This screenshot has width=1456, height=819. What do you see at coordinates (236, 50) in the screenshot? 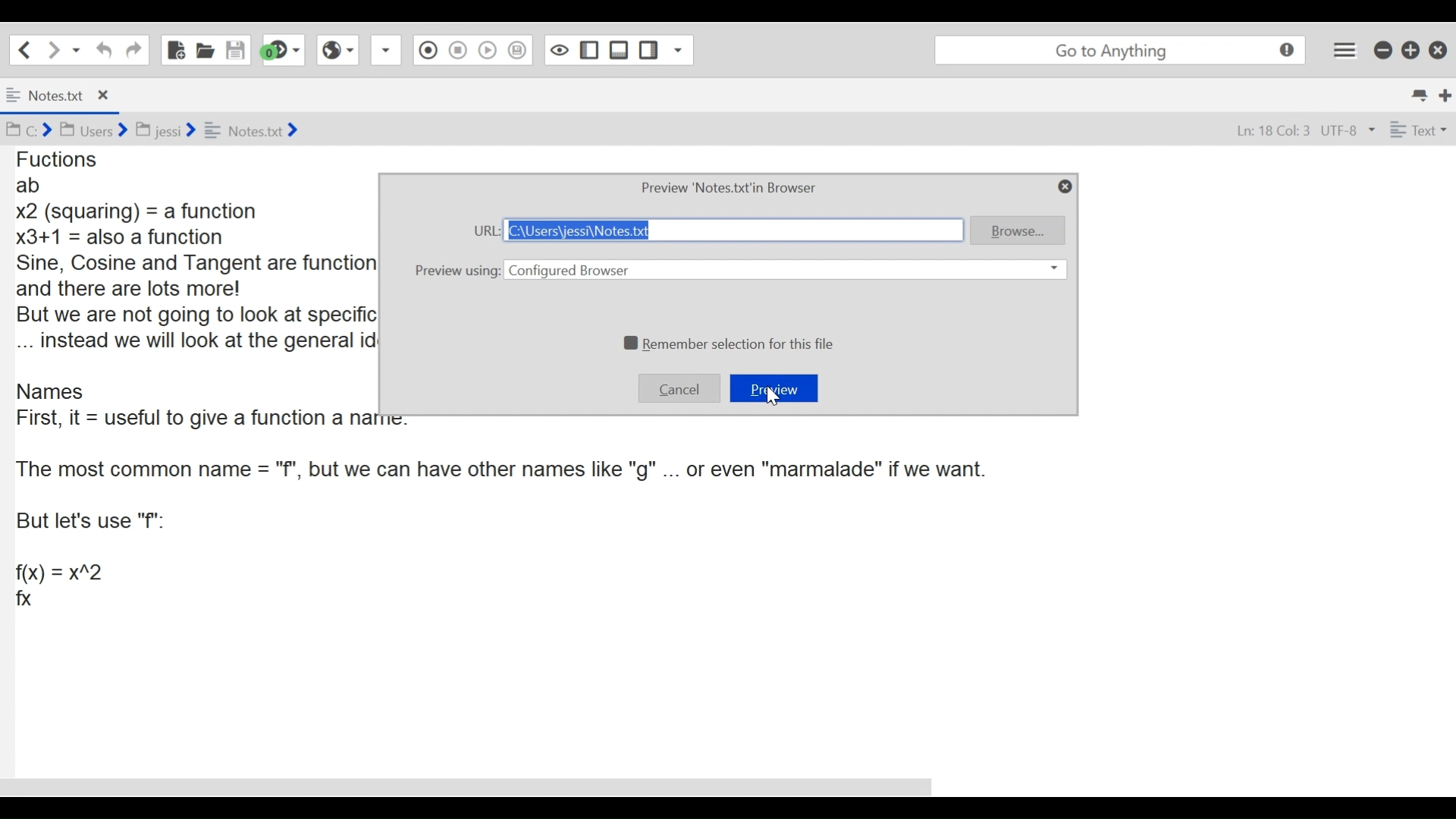
I see `Save file` at bounding box center [236, 50].